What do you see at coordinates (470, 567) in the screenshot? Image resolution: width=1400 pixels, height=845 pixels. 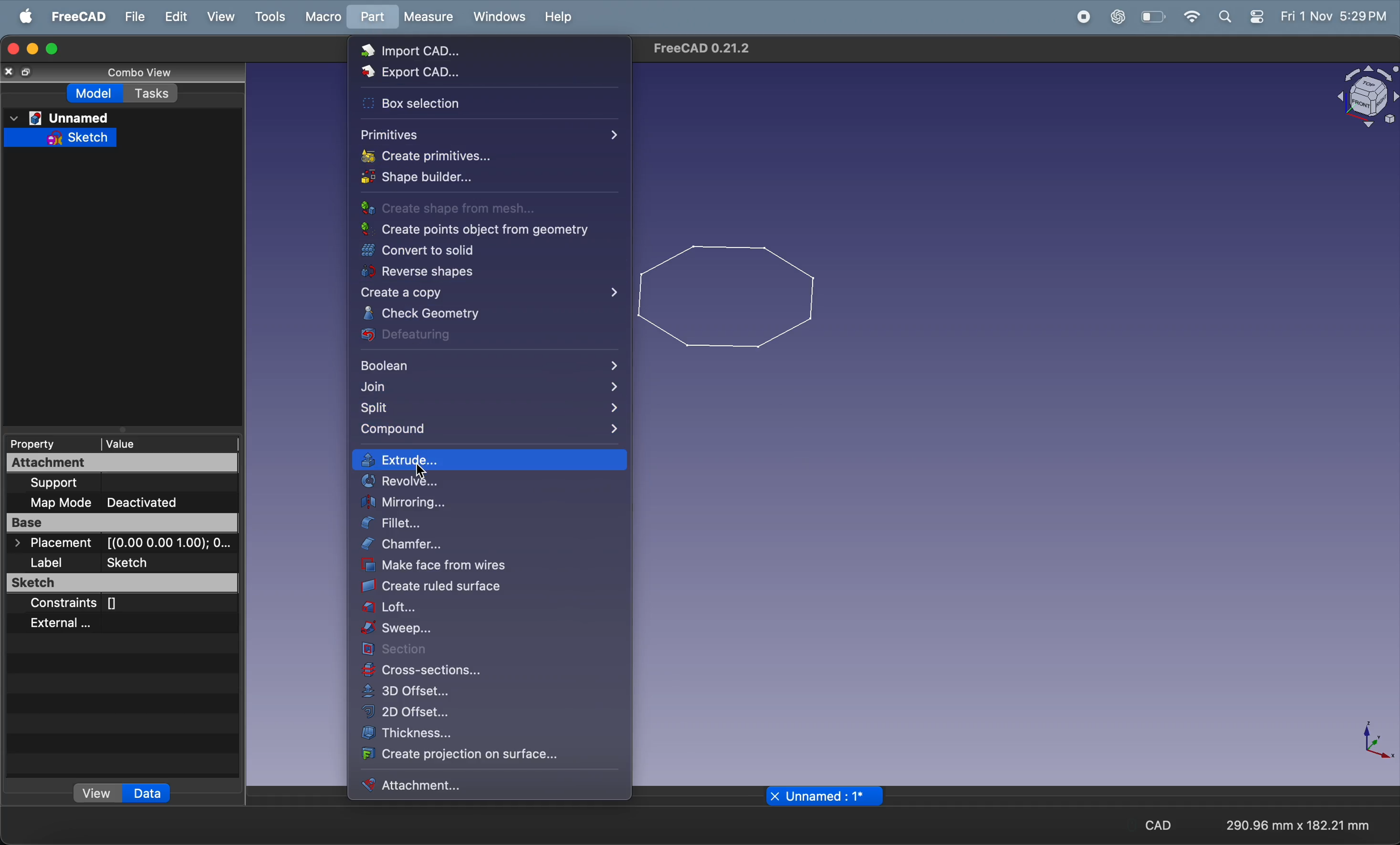 I see `make face from wires` at bounding box center [470, 567].